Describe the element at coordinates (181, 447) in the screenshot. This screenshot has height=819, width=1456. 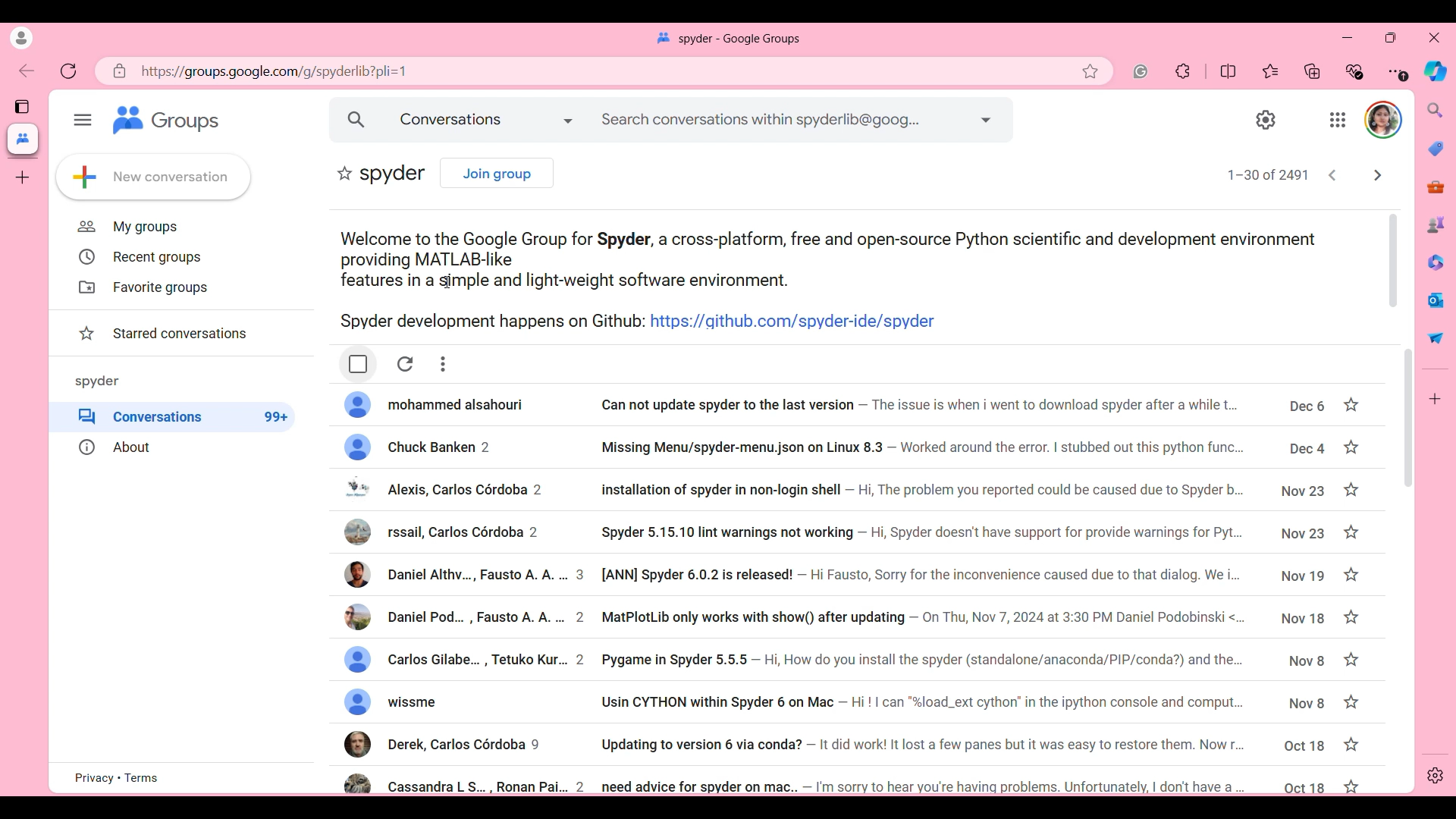
I see `About group` at that location.